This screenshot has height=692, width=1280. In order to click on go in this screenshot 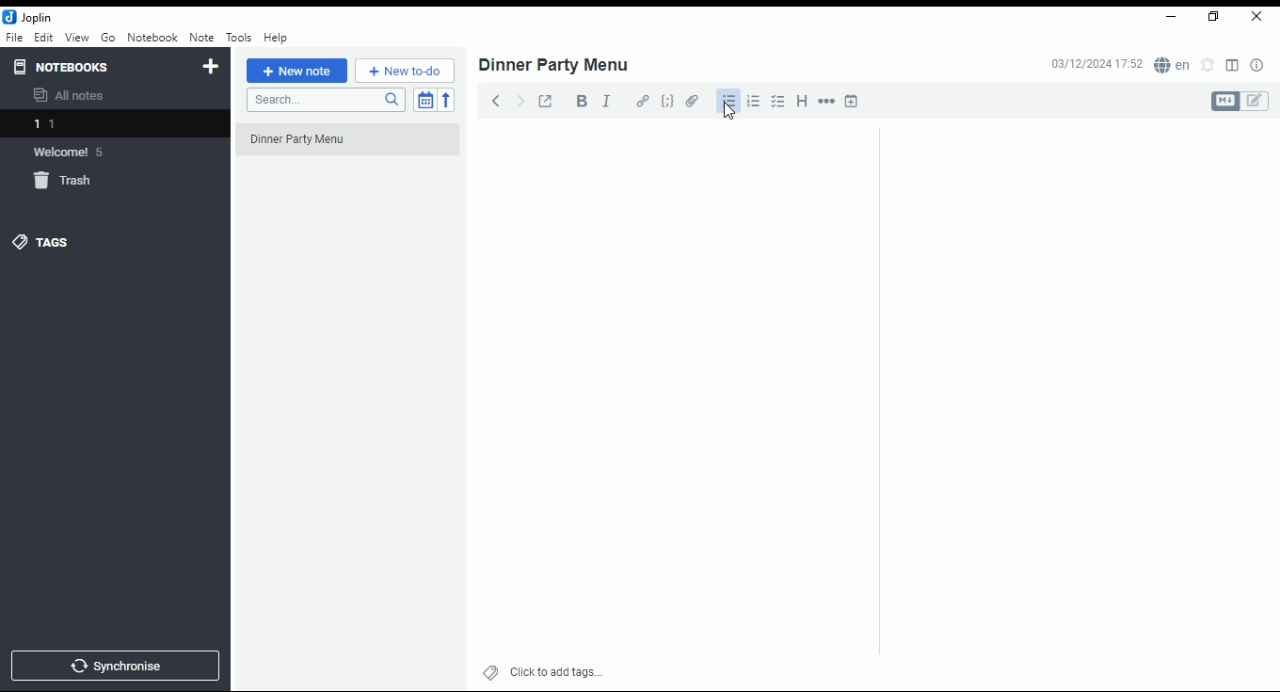, I will do `click(108, 38)`.